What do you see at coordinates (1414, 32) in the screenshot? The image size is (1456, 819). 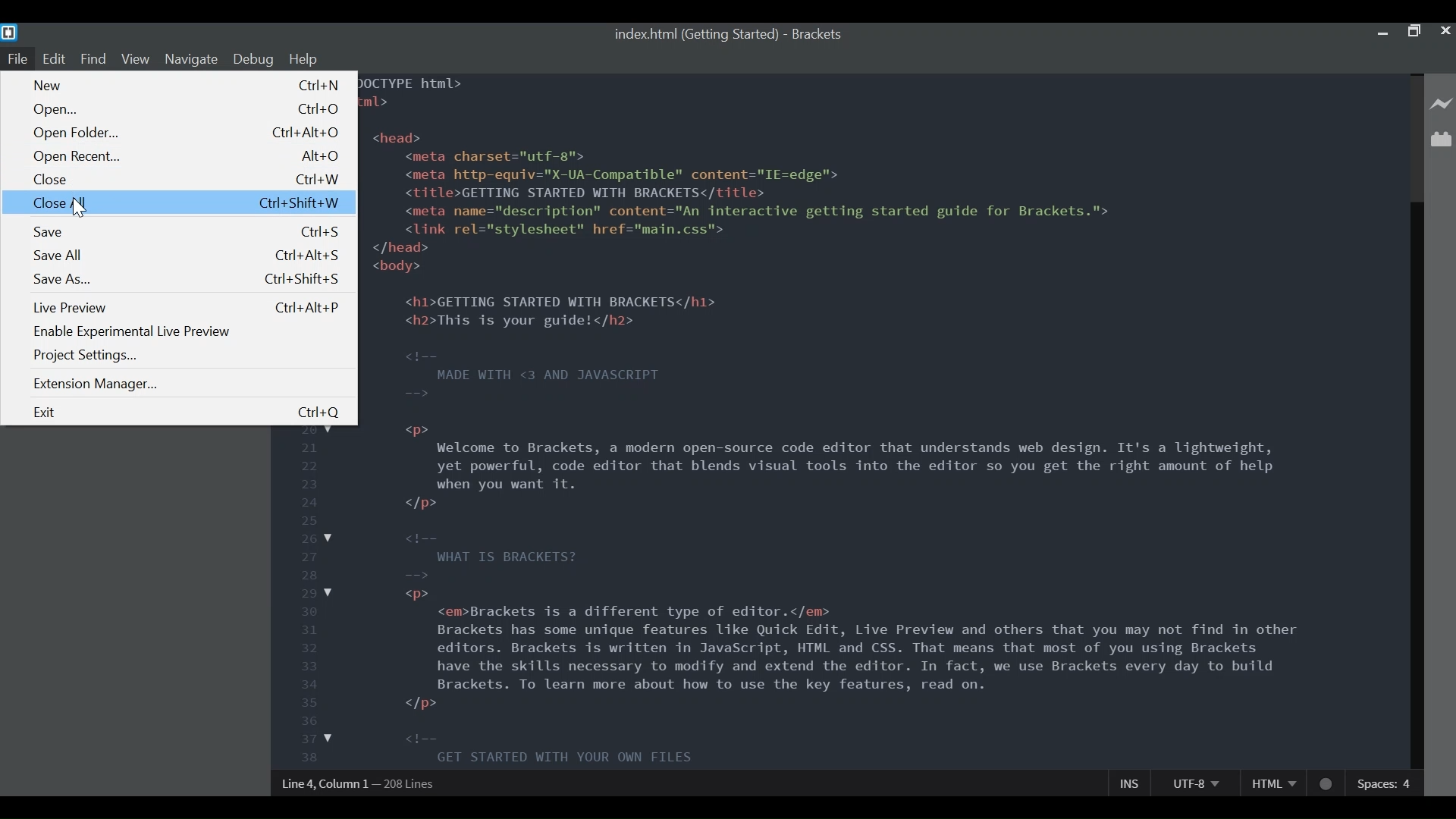 I see `Restore` at bounding box center [1414, 32].